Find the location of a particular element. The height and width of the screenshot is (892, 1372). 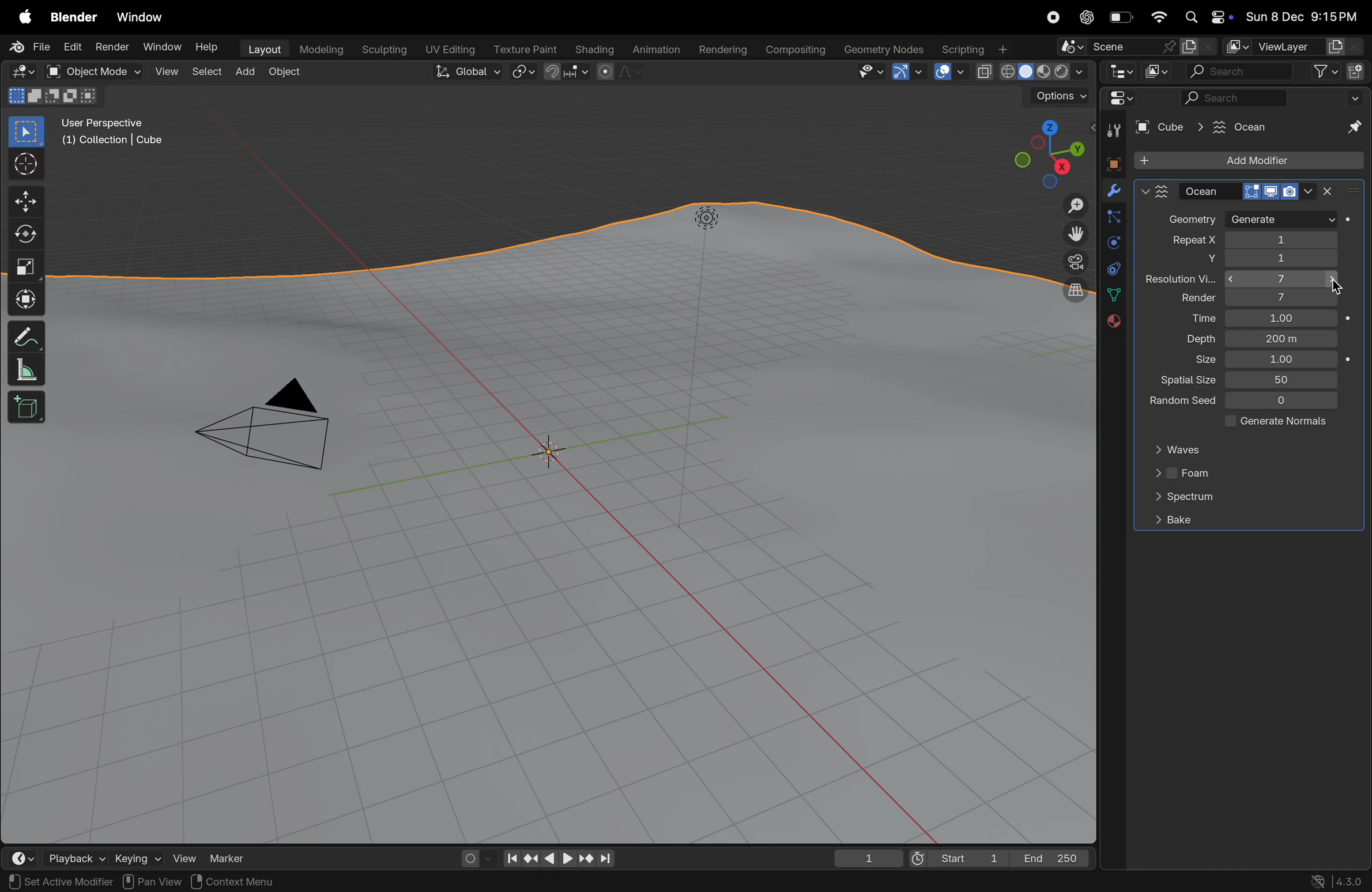

proportional point is located at coordinates (618, 71).